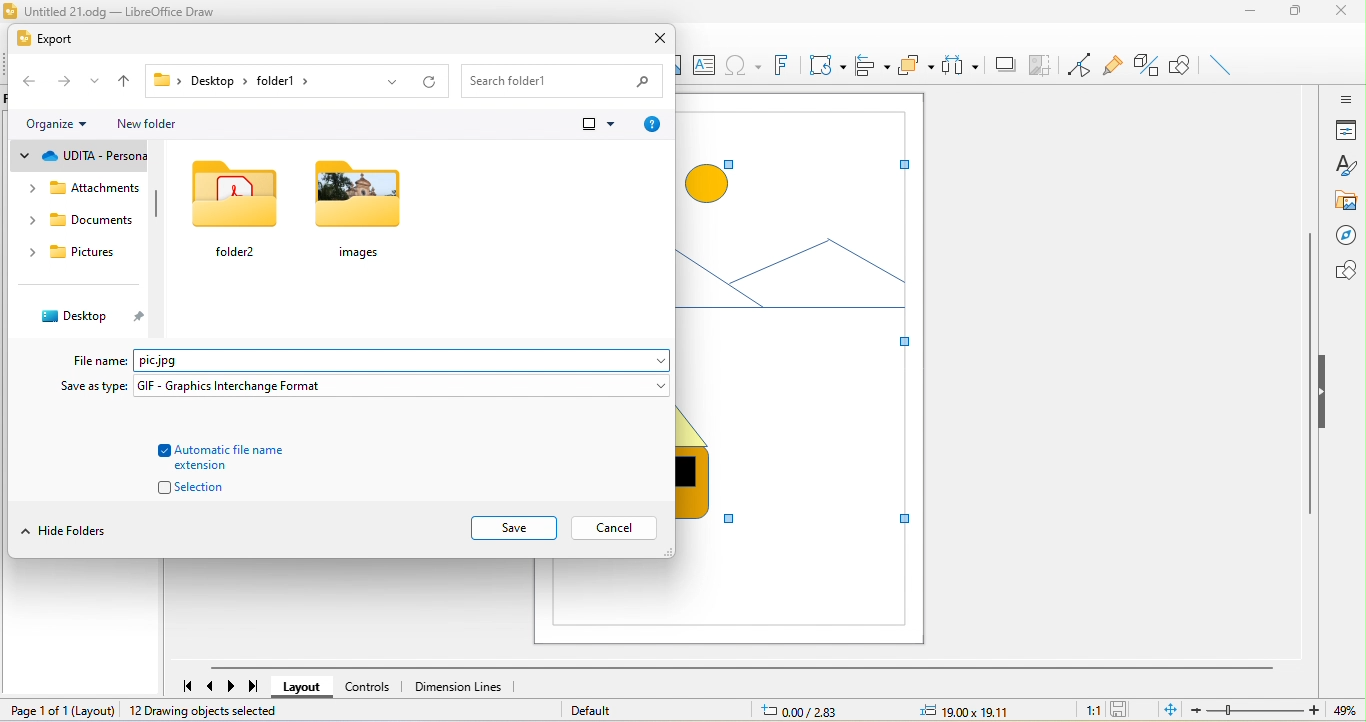  Describe the element at coordinates (1118, 68) in the screenshot. I see `show gluepoint functions` at that location.